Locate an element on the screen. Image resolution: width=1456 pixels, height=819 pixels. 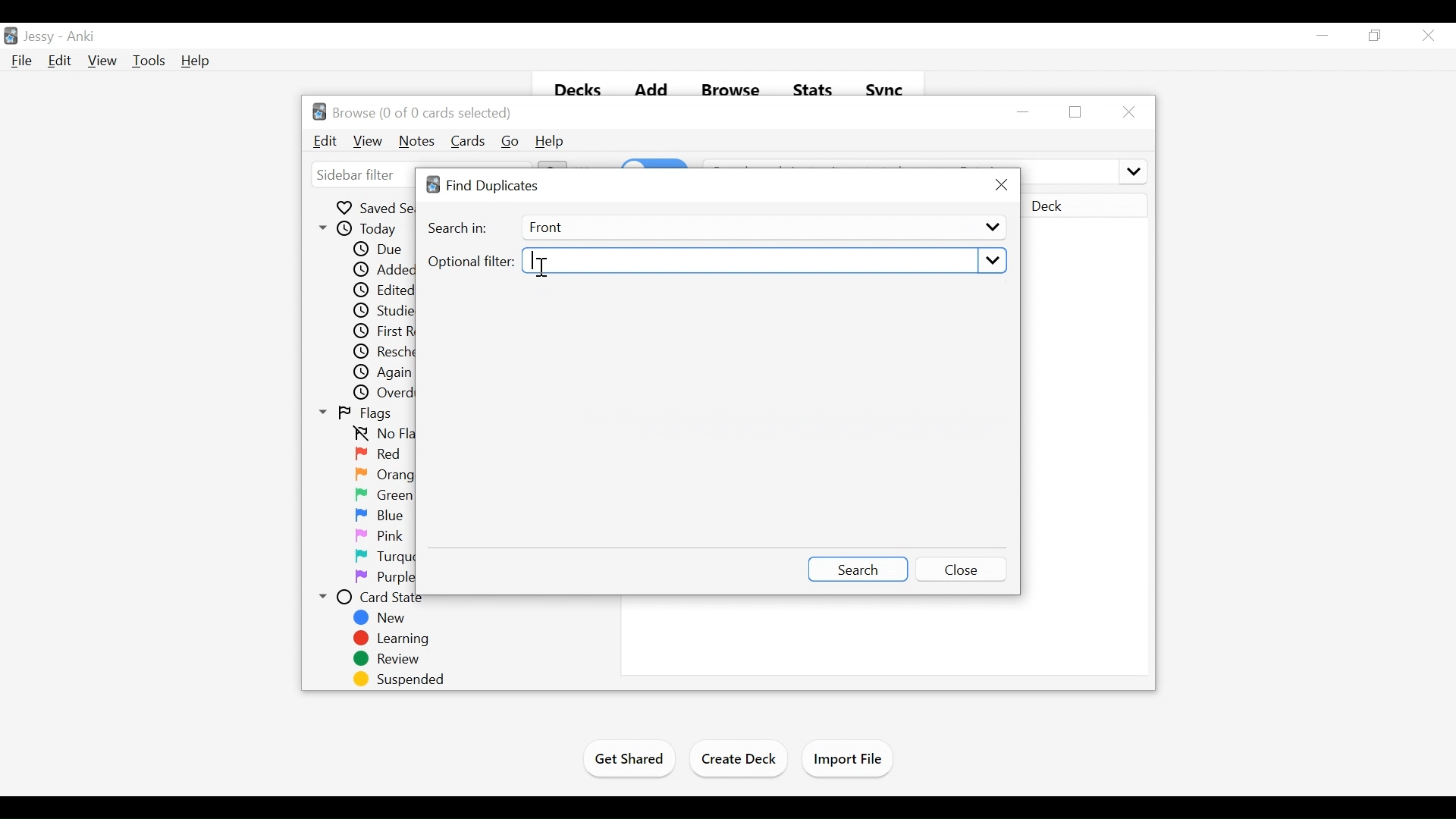
Blue is located at coordinates (380, 516).